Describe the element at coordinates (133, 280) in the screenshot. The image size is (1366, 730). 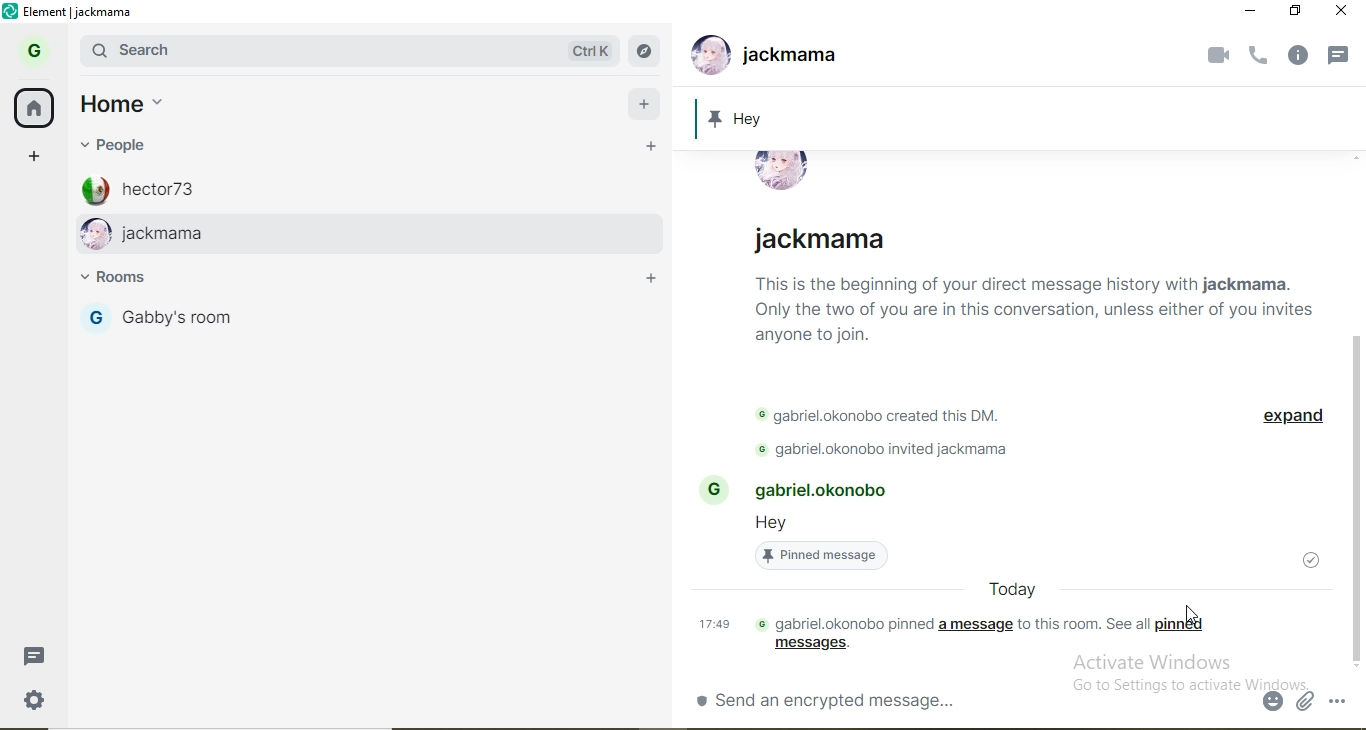
I see `room` at that location.